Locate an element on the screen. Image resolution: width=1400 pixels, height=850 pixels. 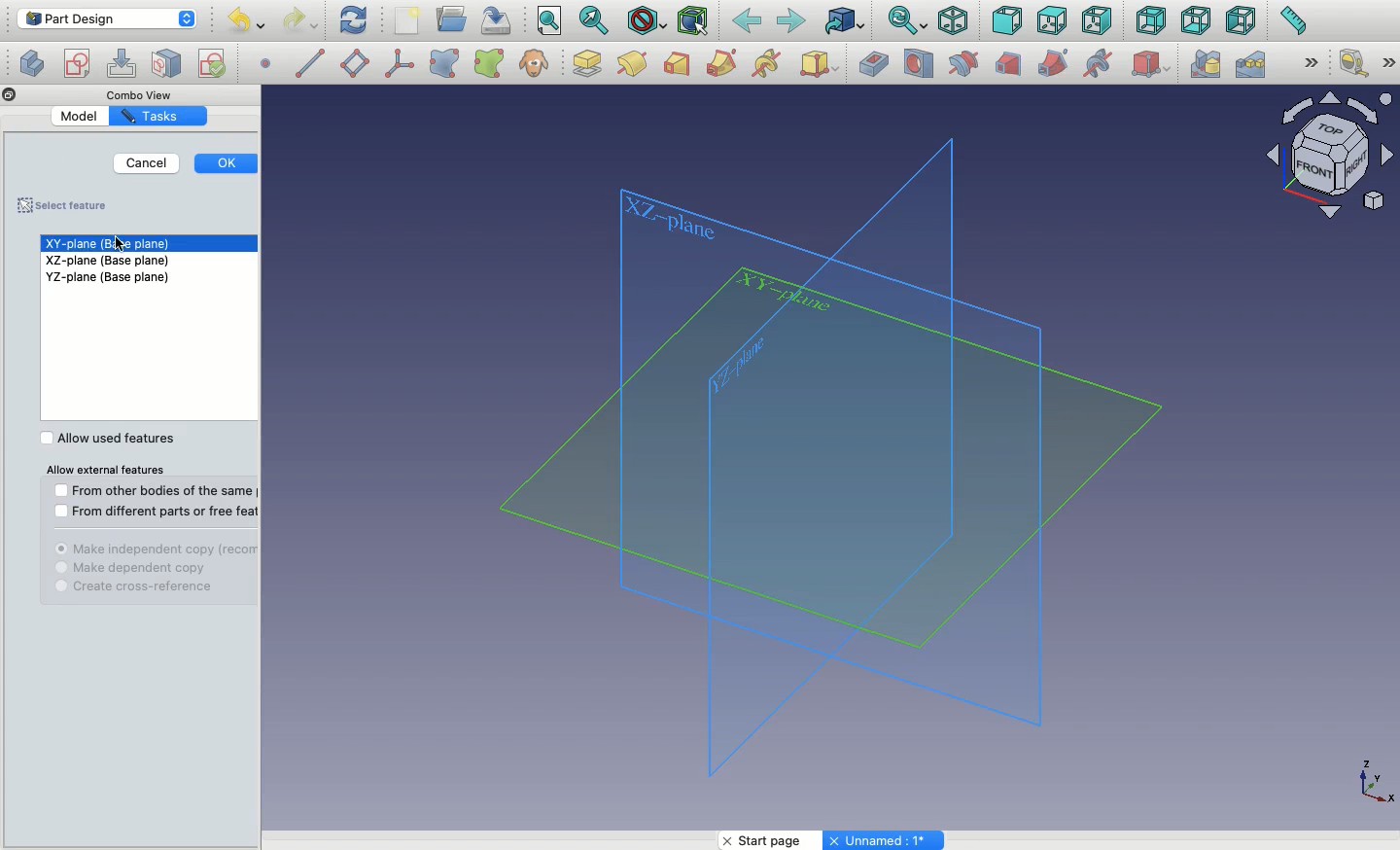
Linear pattern is located at coordinates (1248, 64).